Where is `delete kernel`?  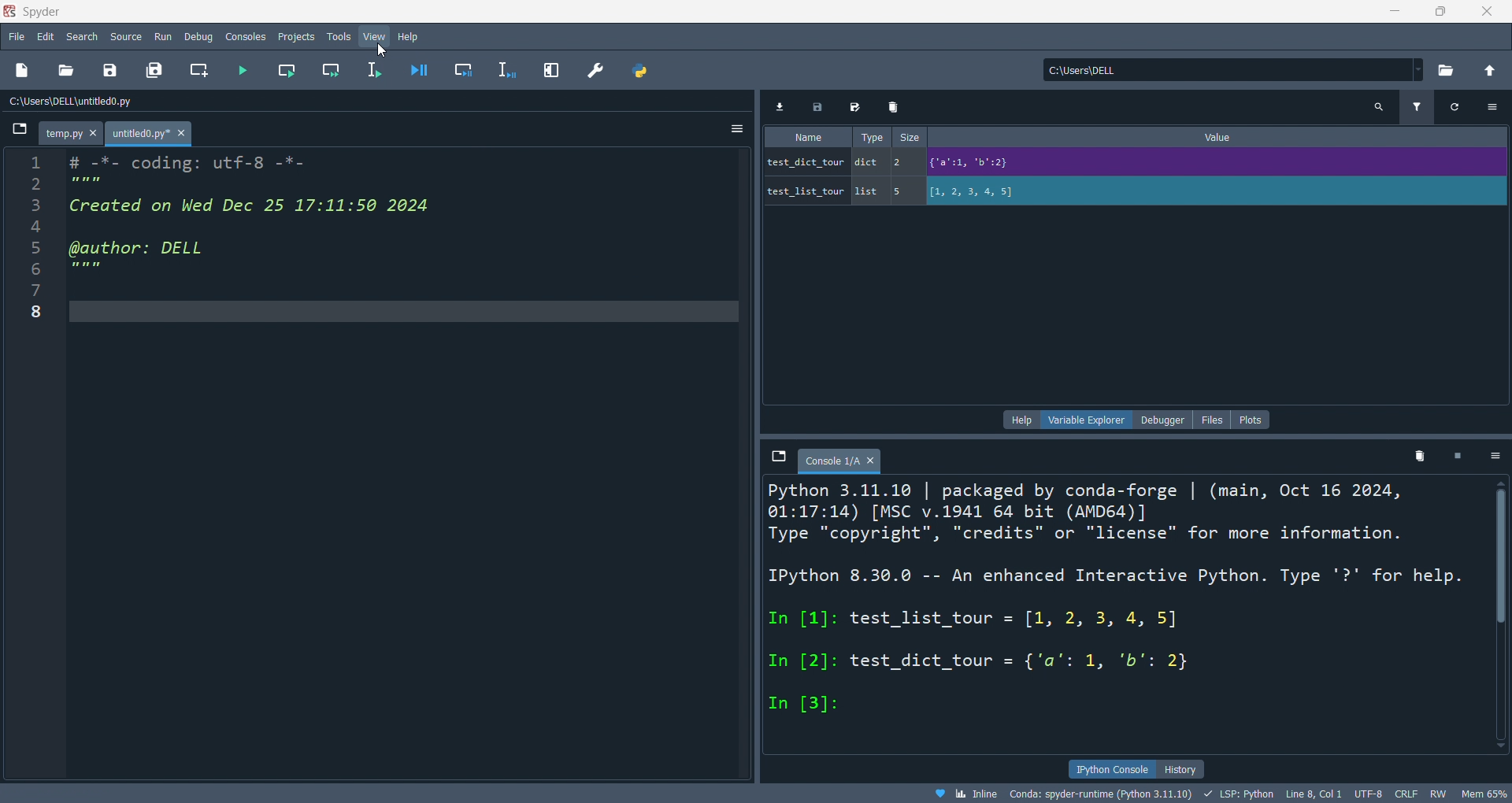
delete kernel is located at coordinates (1457, 458).